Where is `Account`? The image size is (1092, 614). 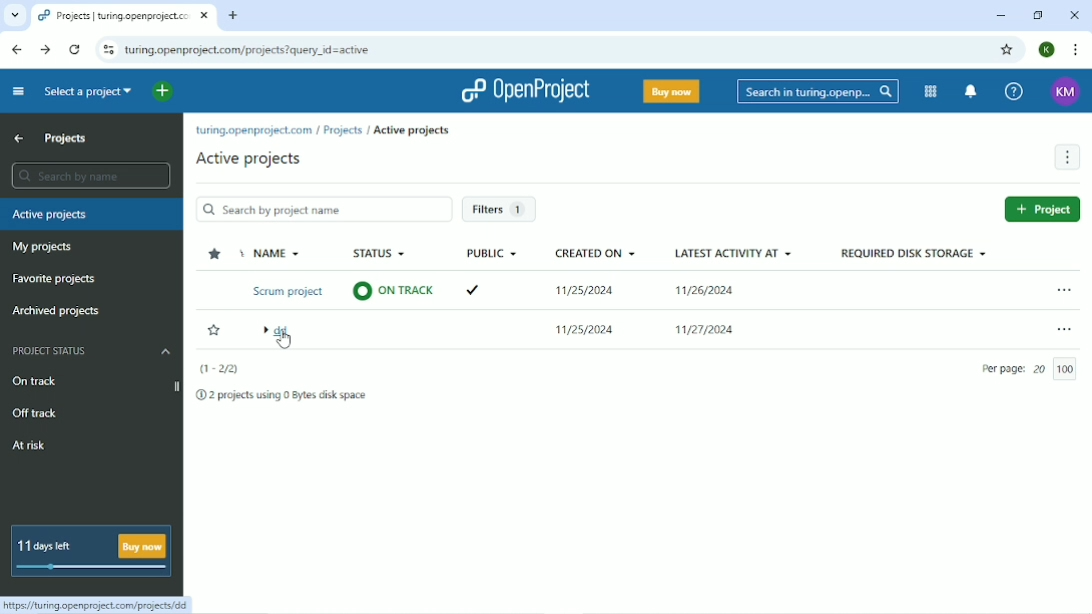
Account is located at coordinates (1046, 49).